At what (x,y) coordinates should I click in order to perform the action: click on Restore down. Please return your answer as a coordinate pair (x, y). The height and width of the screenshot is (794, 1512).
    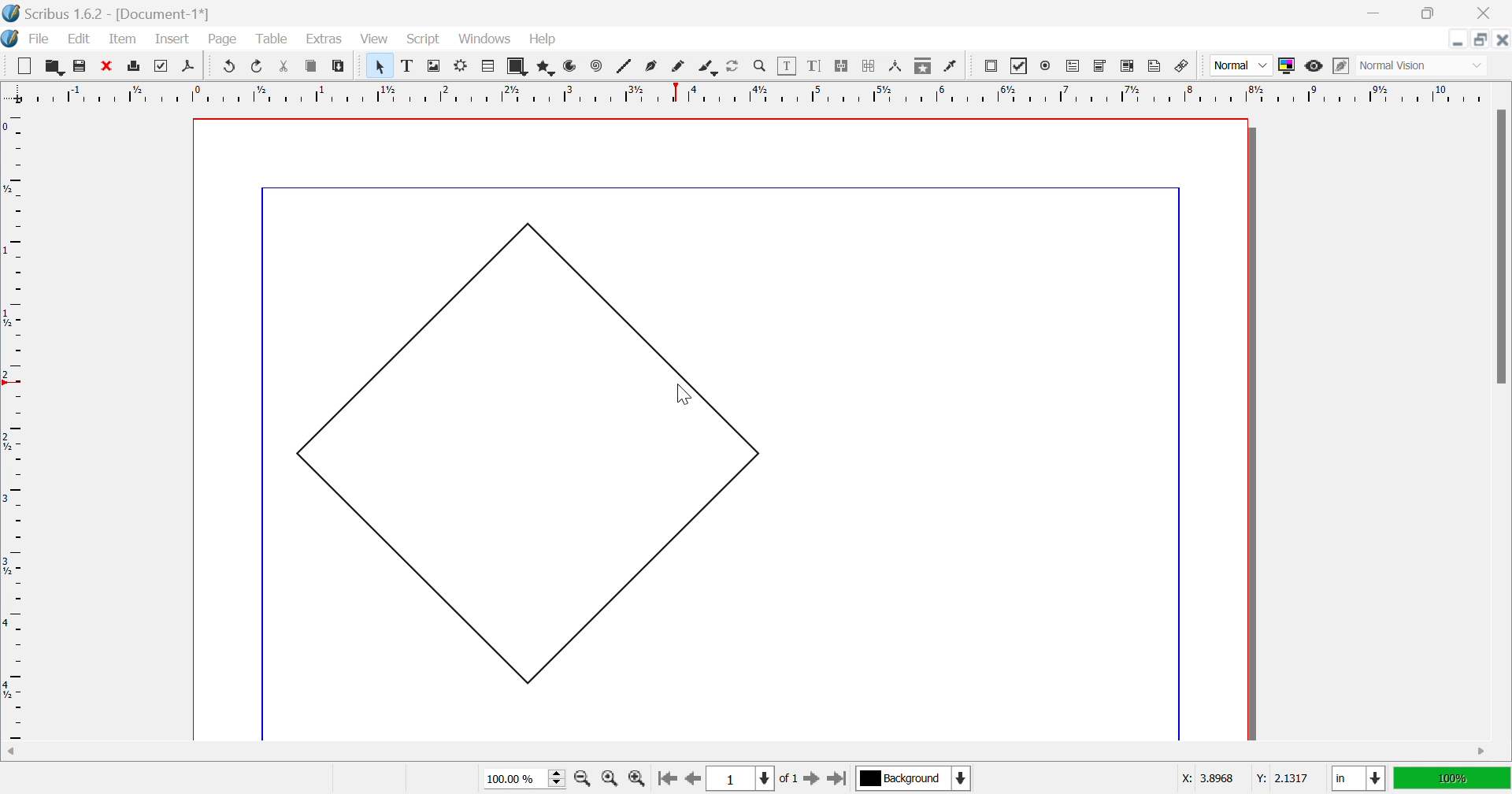
    Looking at the image, I should click on (1426, 13).